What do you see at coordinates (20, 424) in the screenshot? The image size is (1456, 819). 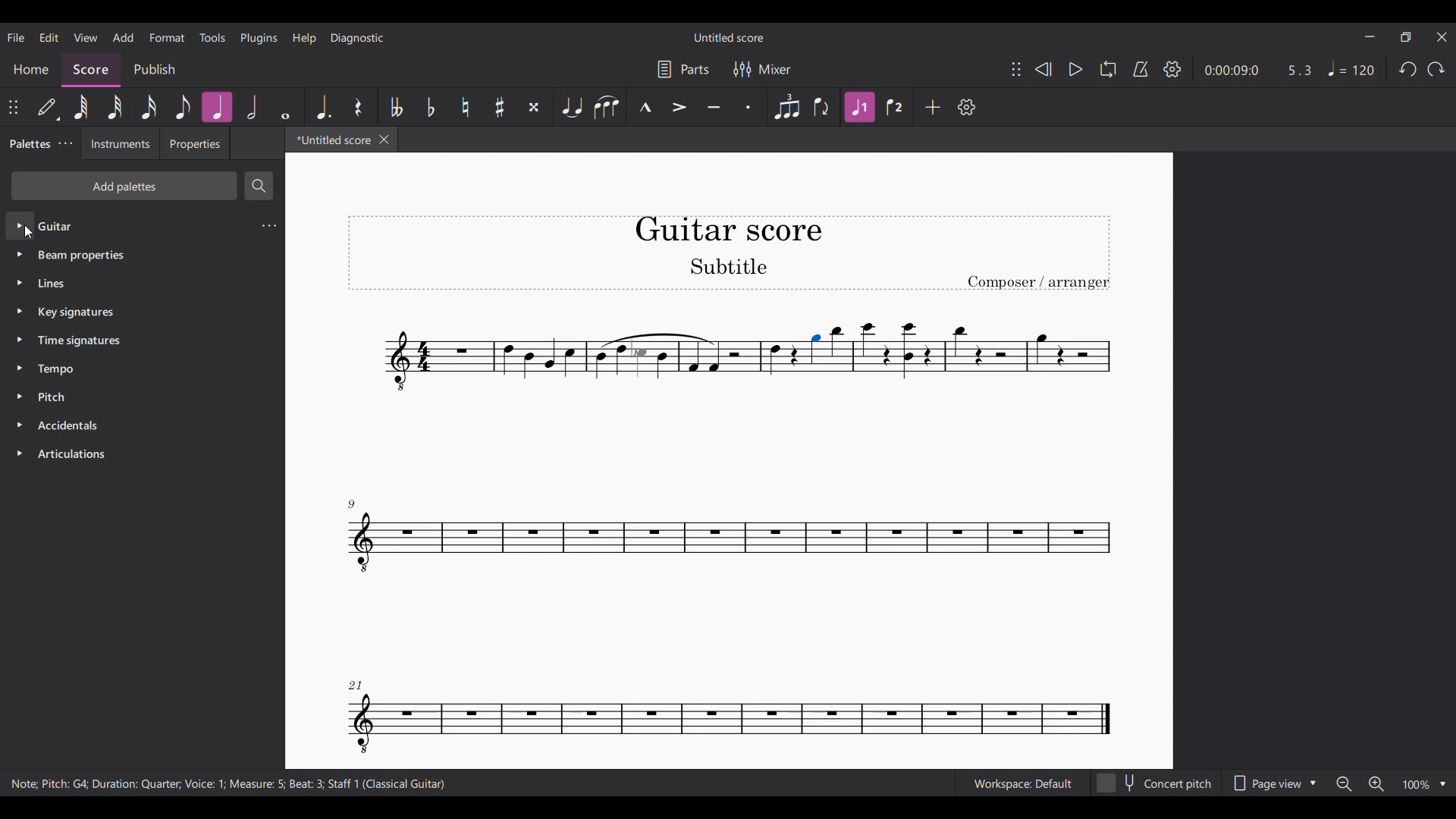 I see `Click to expand accidentals palette` at bounding box center [20, 424].